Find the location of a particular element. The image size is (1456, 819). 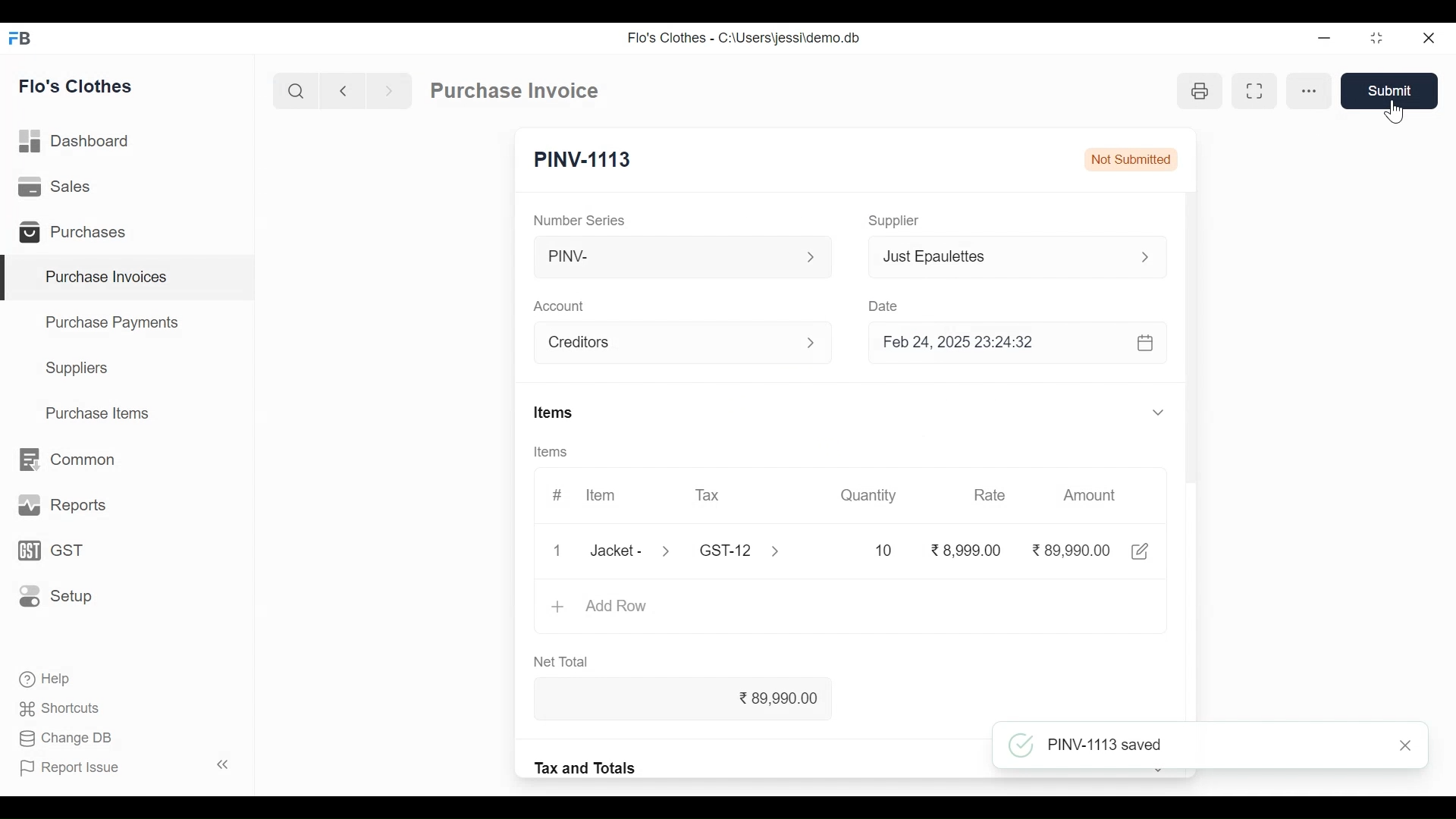

Purchase Payments is located at coordinates (111, 322).